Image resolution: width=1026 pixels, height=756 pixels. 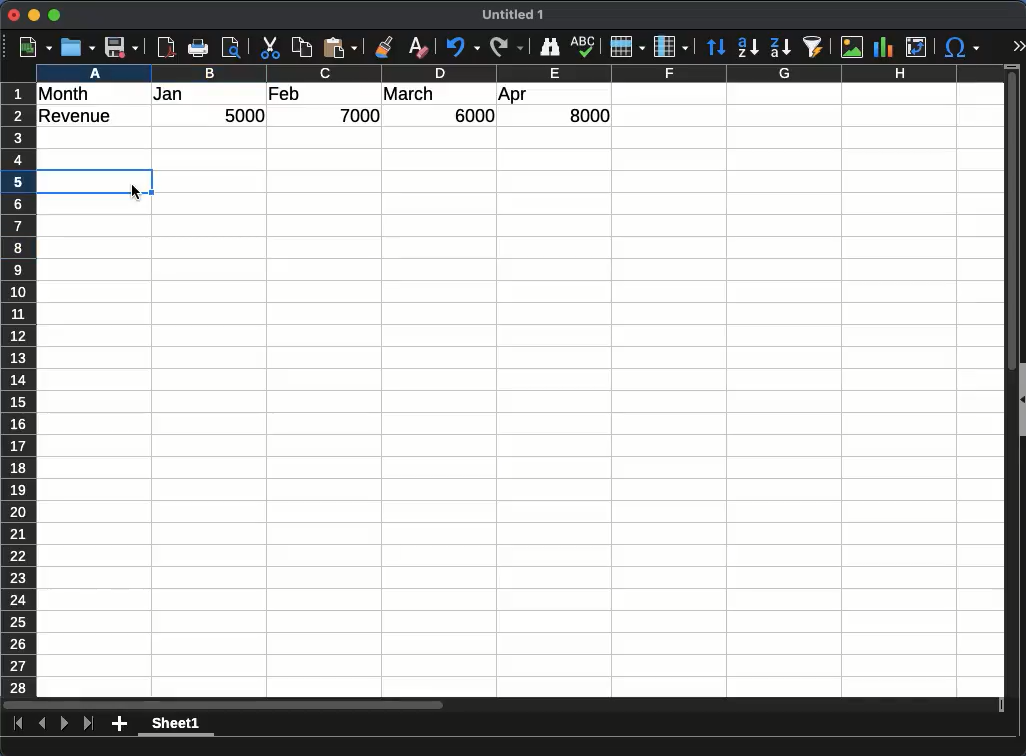 I want to click on column , so click(x=671, y=47).